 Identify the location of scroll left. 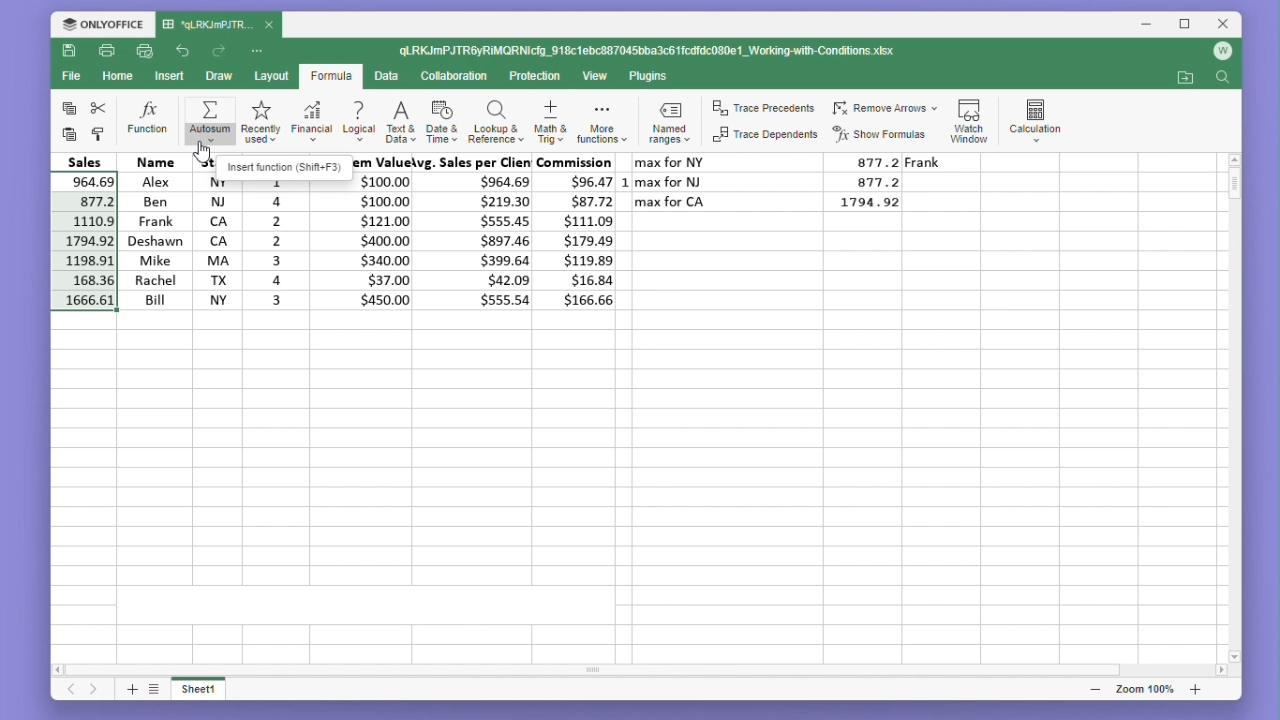
(61, 672).